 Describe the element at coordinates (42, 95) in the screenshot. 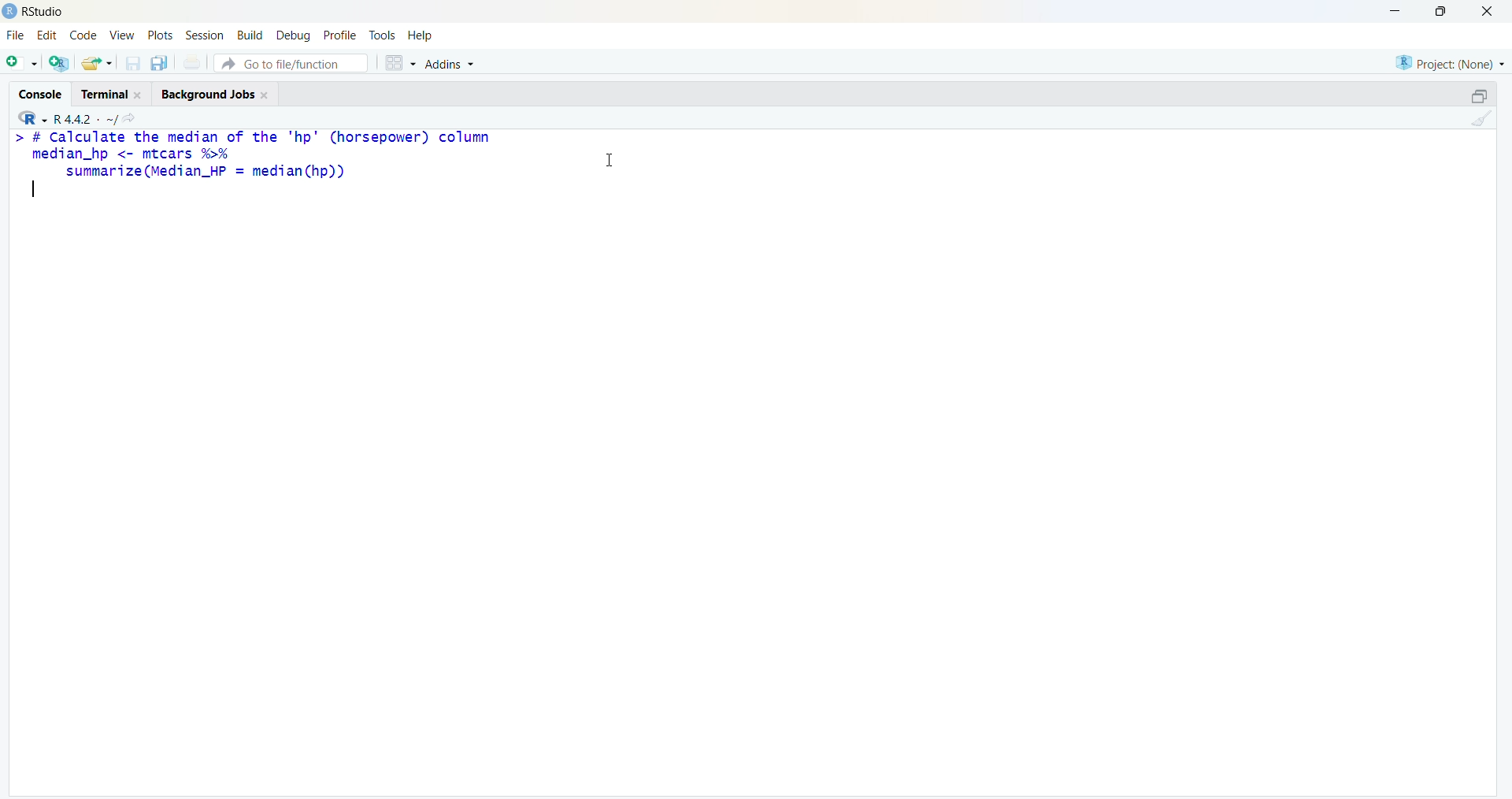

I see `console` at that location.